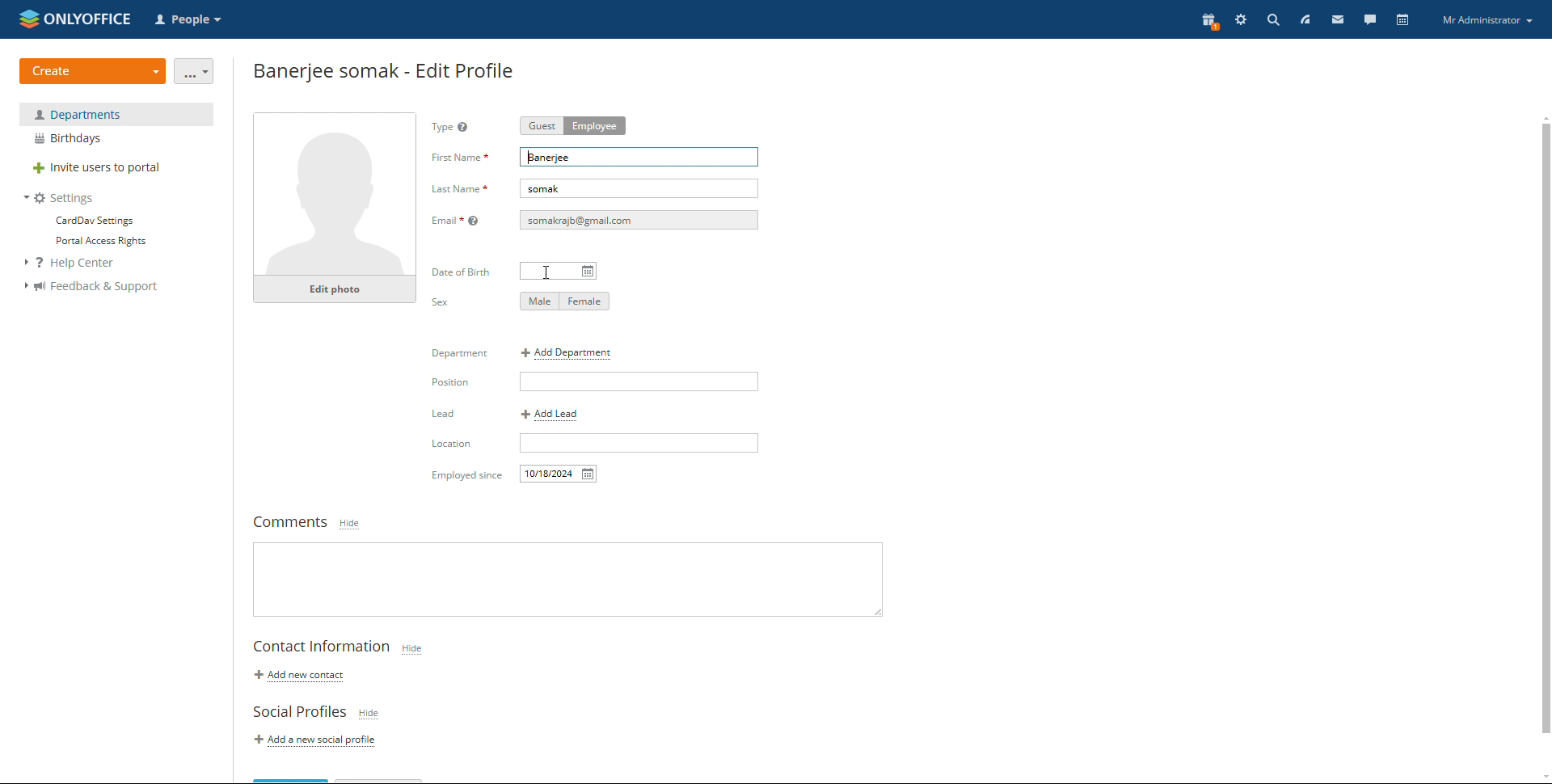 The height and width of the screenshot is (784, 1552). I want to click on profile, so click(1487, 21).